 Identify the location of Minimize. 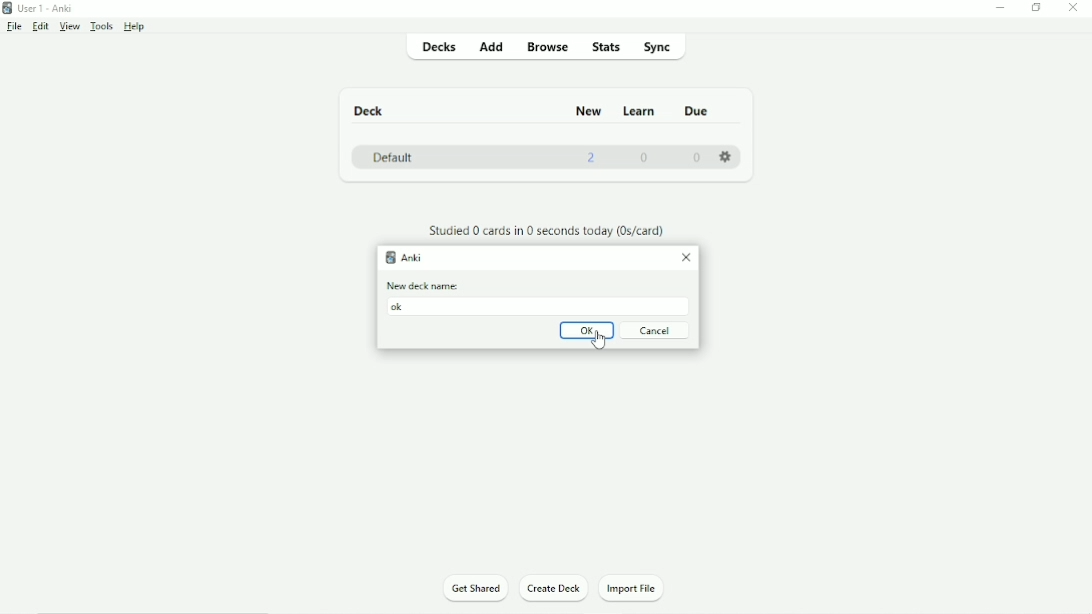
(1001, 8).